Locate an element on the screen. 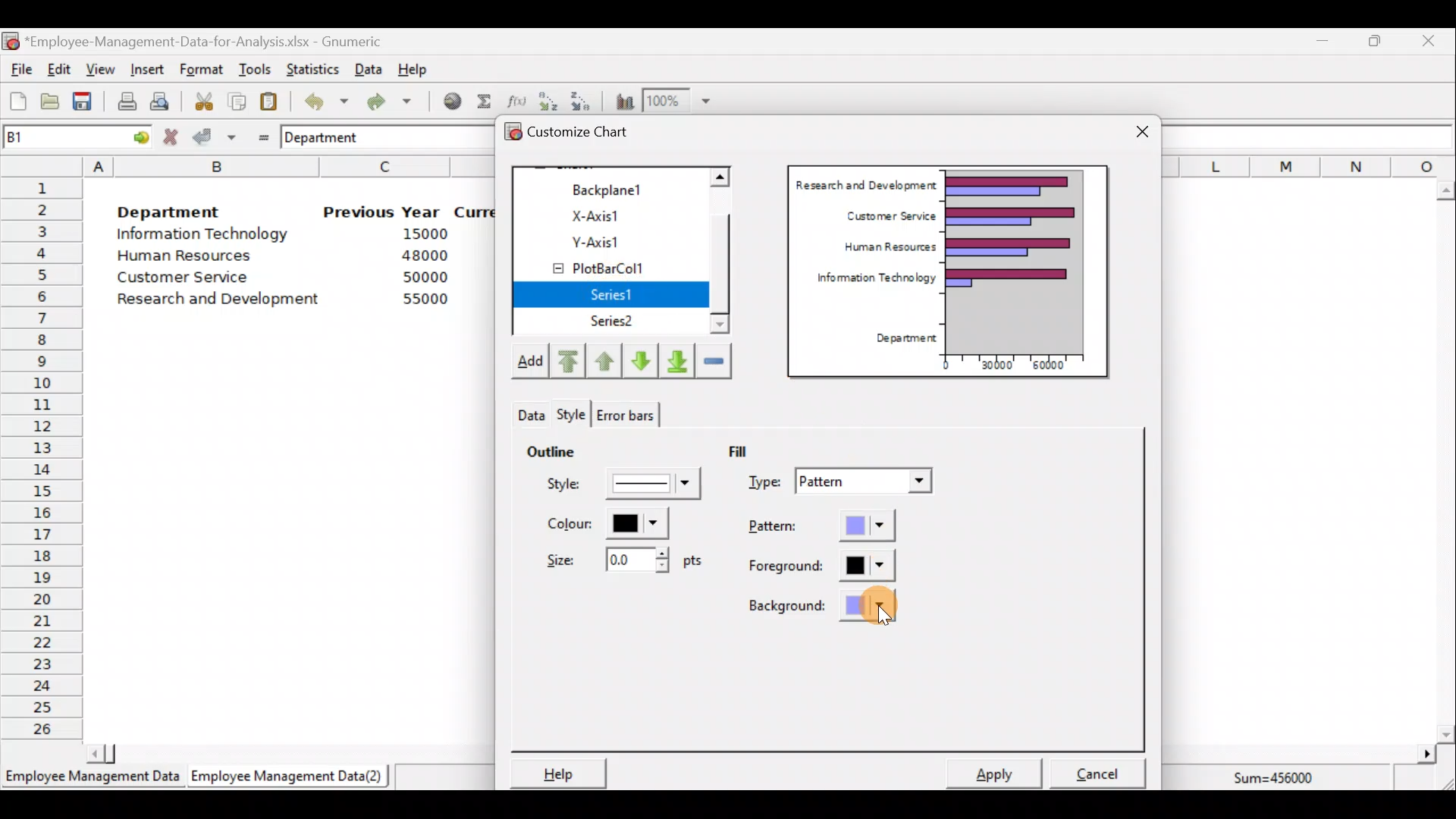 This screenshot has width=1456, height=819. go to is located at coordinates (135, 135).